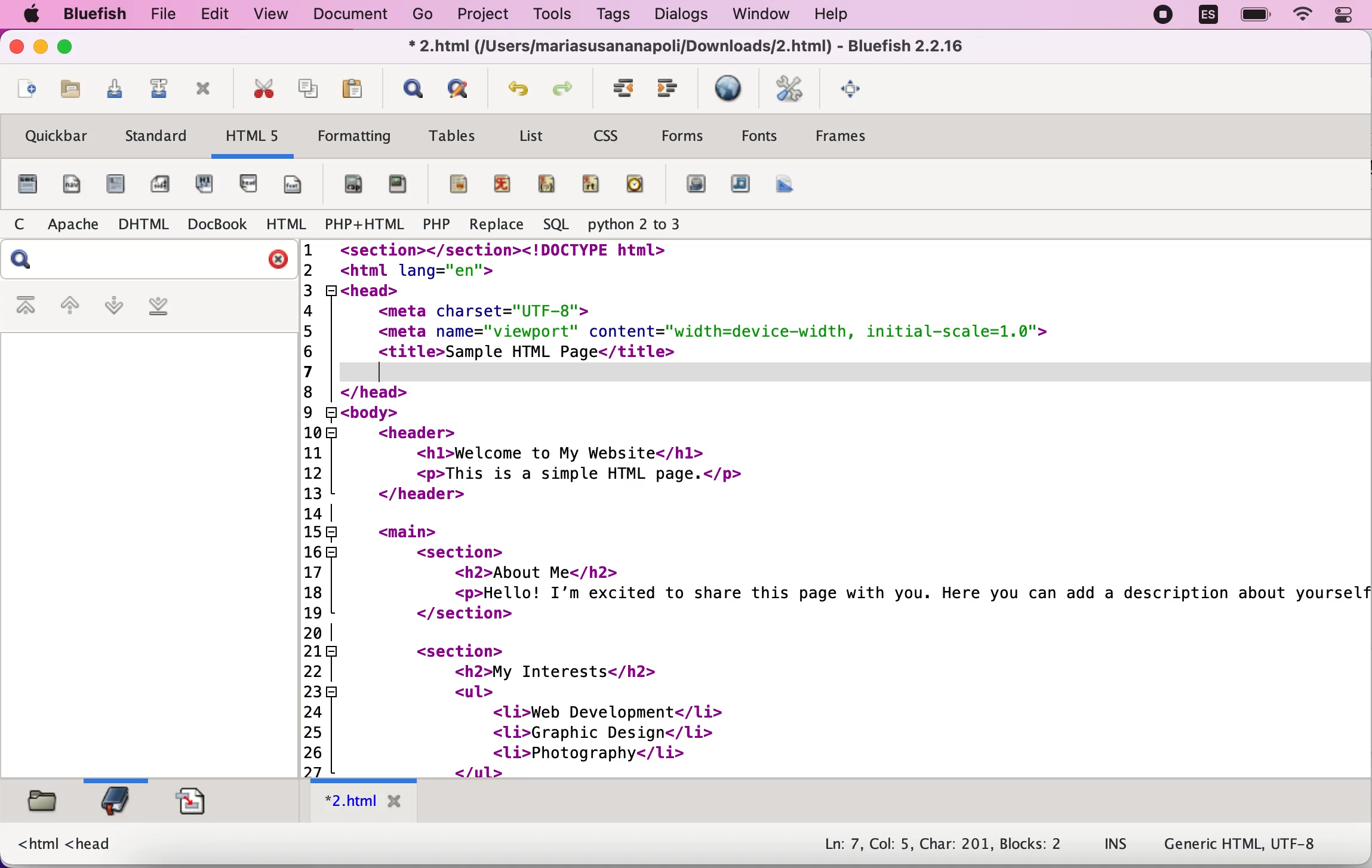 This screenshot has height=868, width=1372. I want to click on fullscreen, so click(859, 89).